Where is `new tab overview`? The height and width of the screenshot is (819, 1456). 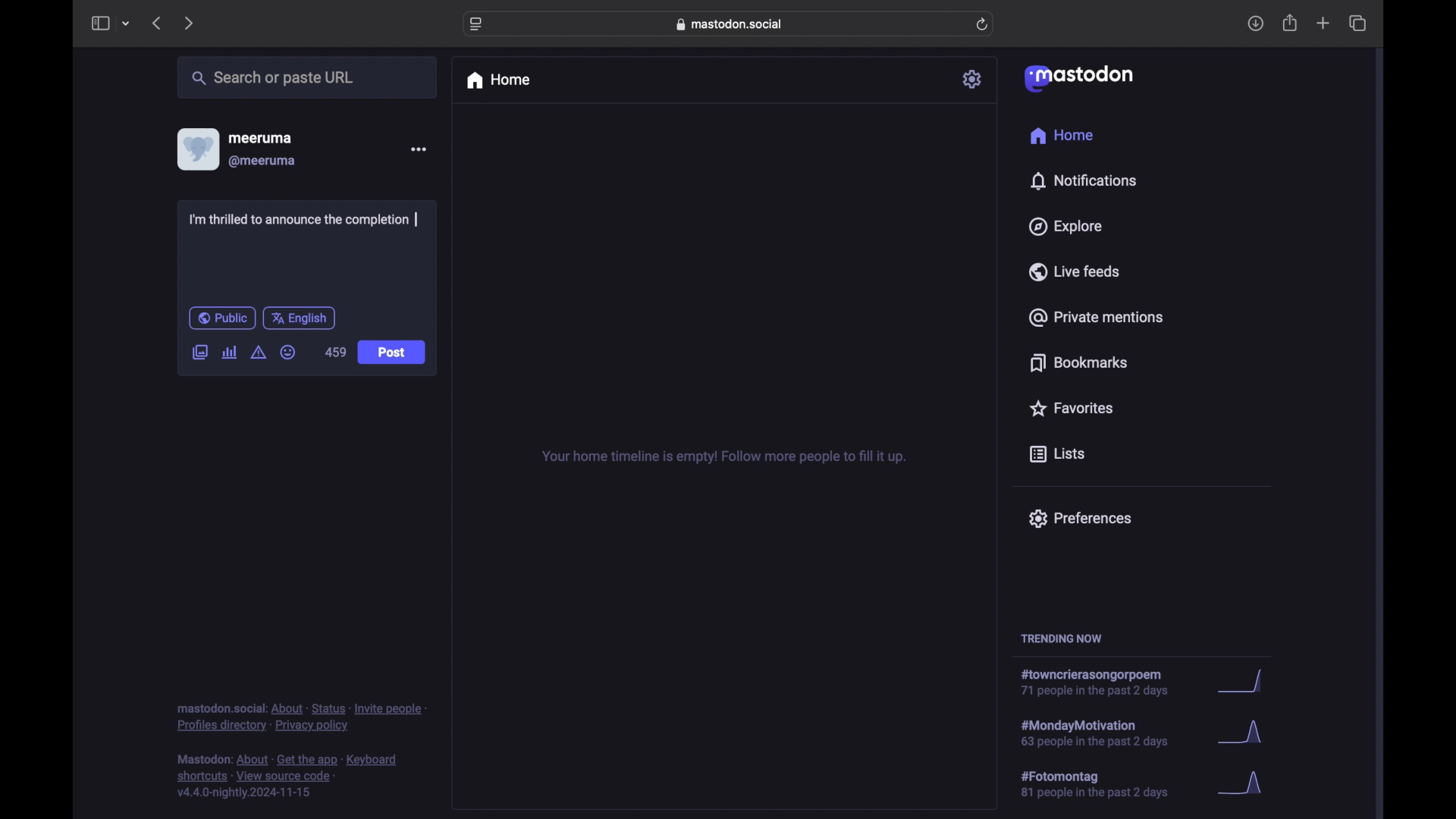 new tab overview is located at coordinates (1323, 23).